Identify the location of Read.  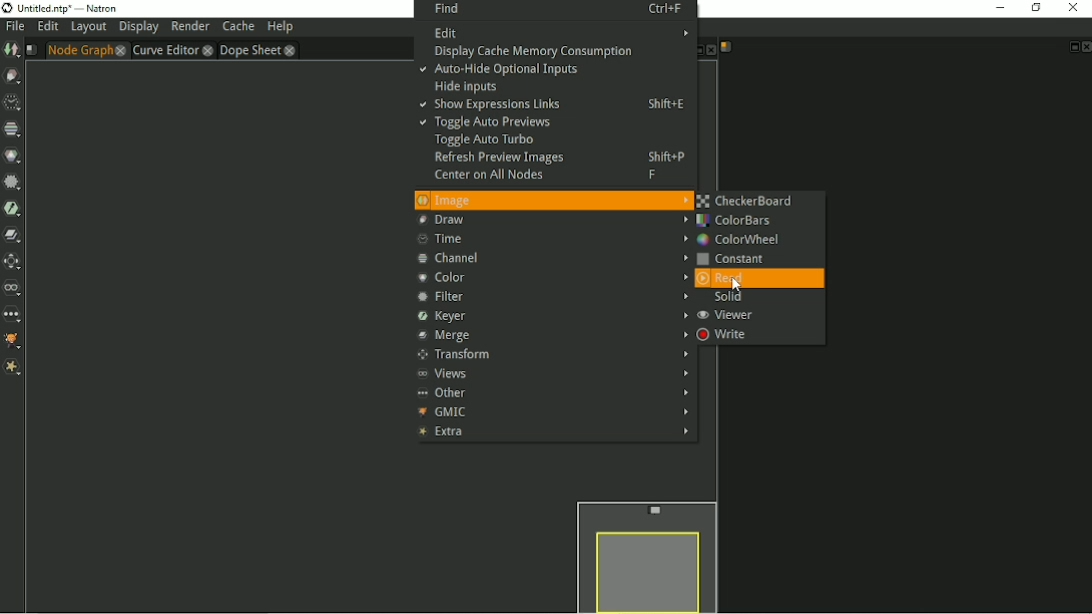
(730, 278).